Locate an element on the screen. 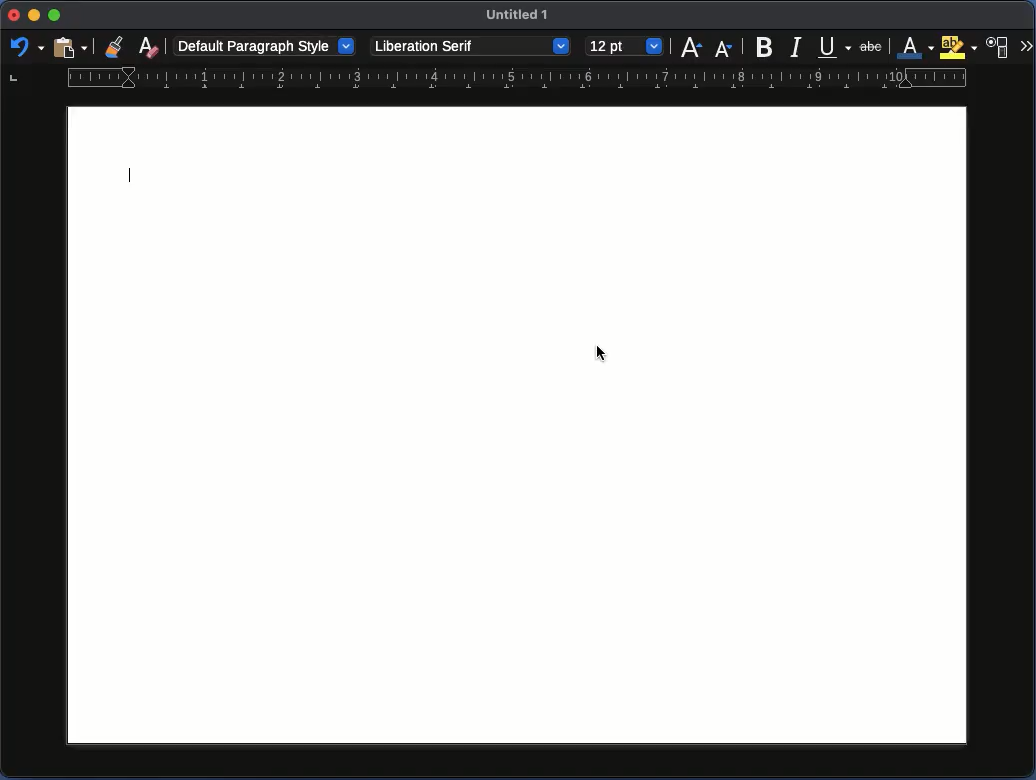 The image size is (1036, 780). Minimize is located at coordinates (56, 16).